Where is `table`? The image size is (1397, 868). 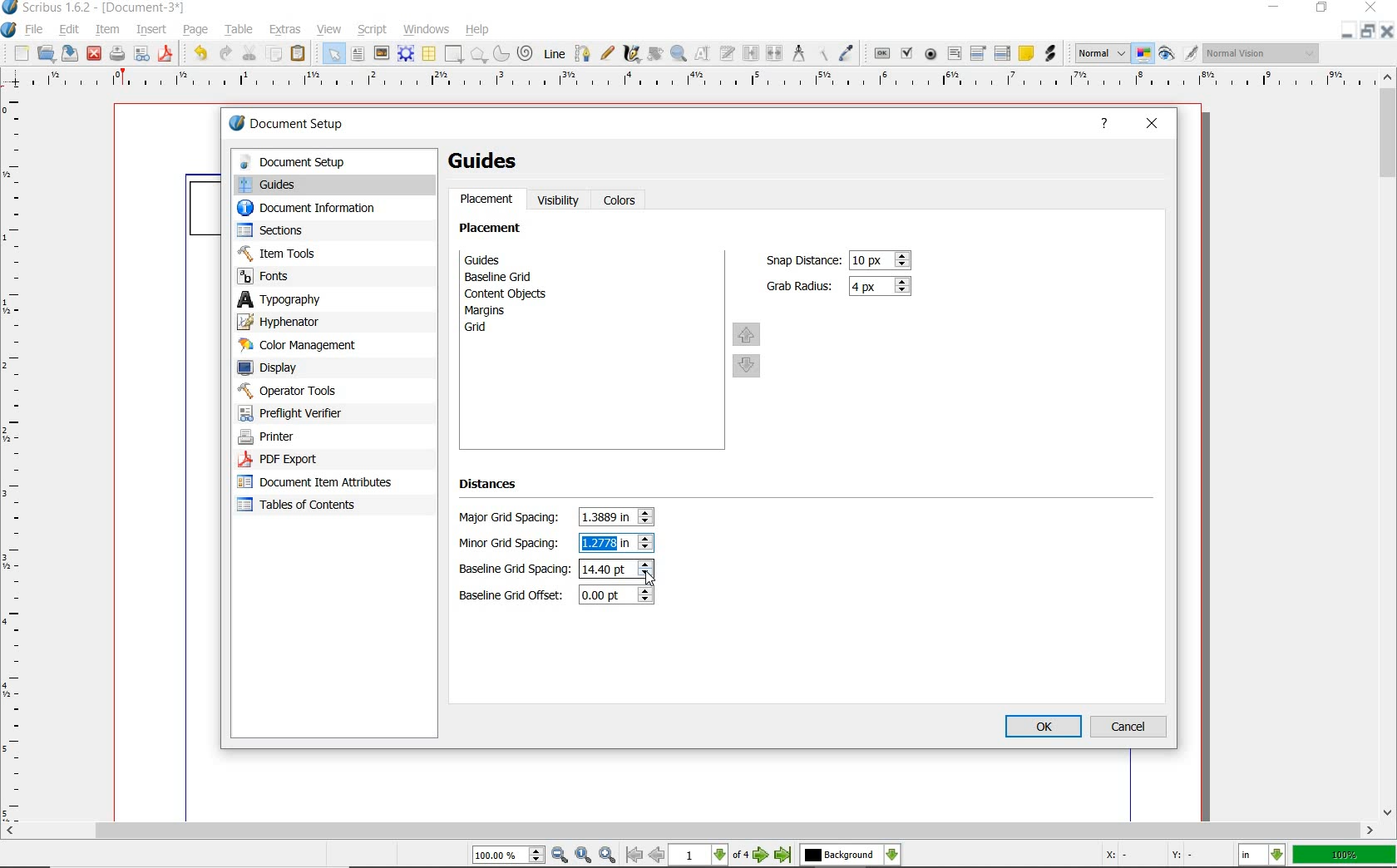
table is located at coordinates (237, 31).